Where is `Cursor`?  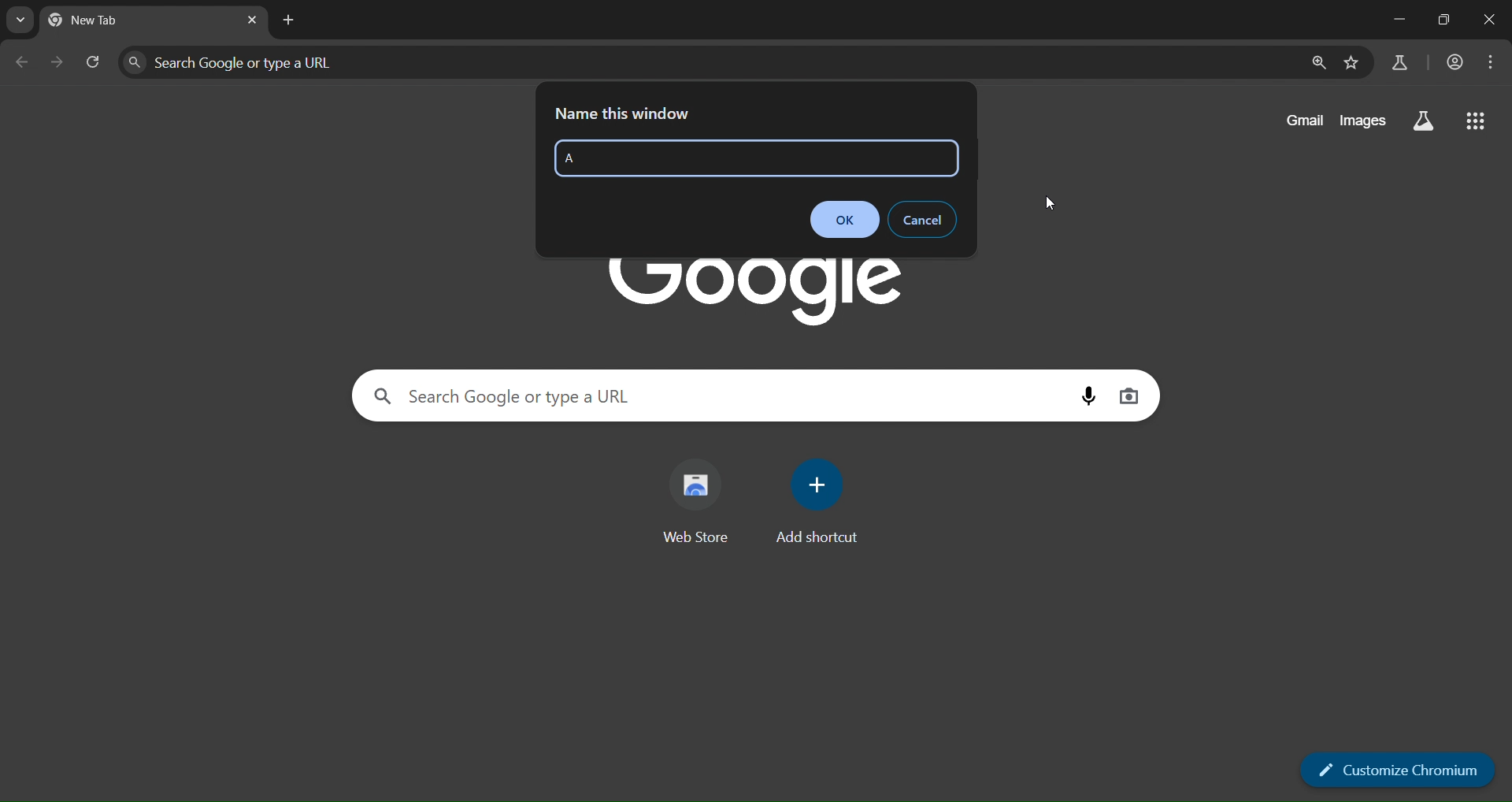 Cursor is located at coordinates (1053, 202).